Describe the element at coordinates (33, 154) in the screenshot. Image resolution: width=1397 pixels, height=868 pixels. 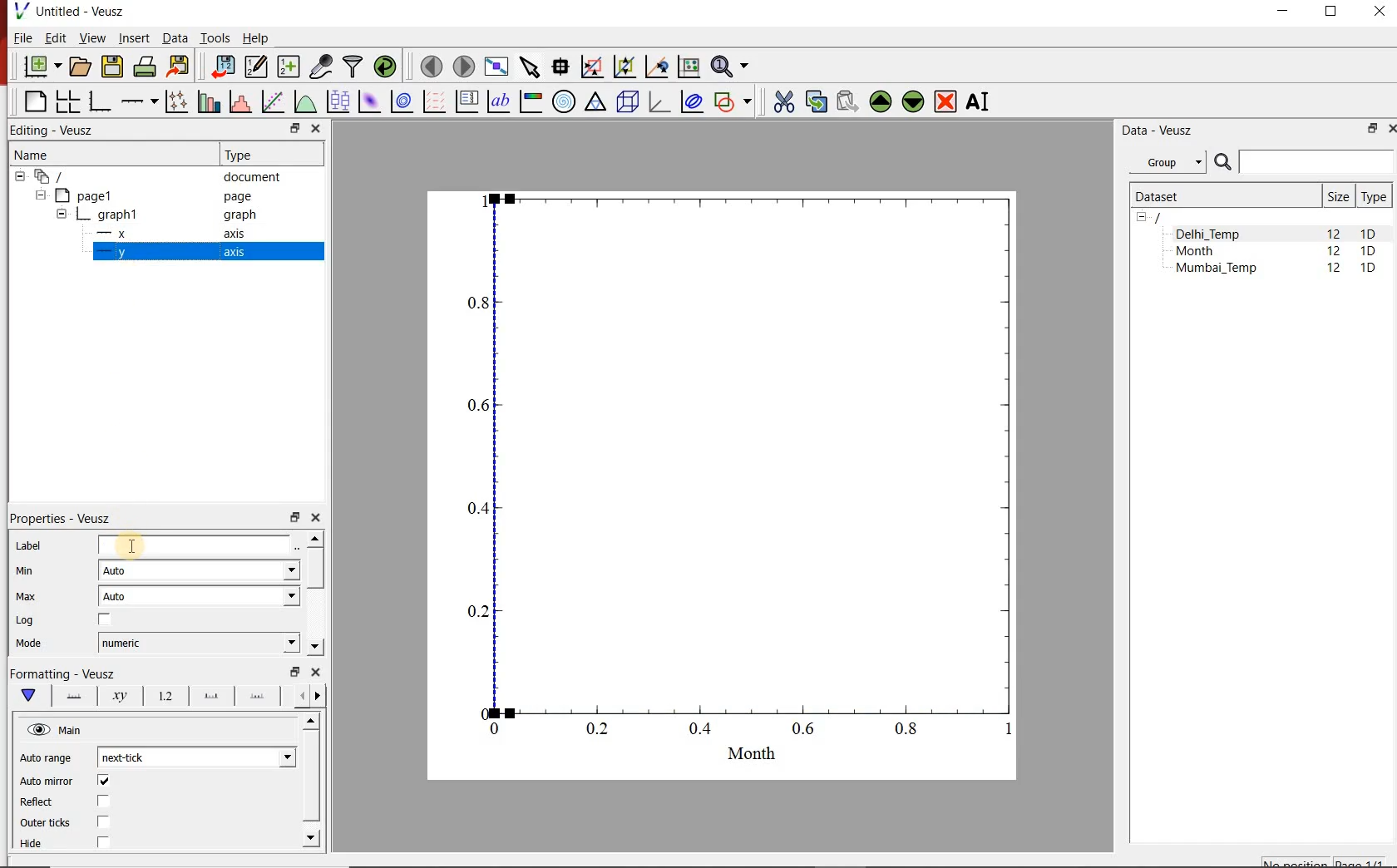
I see `Name` at that location.